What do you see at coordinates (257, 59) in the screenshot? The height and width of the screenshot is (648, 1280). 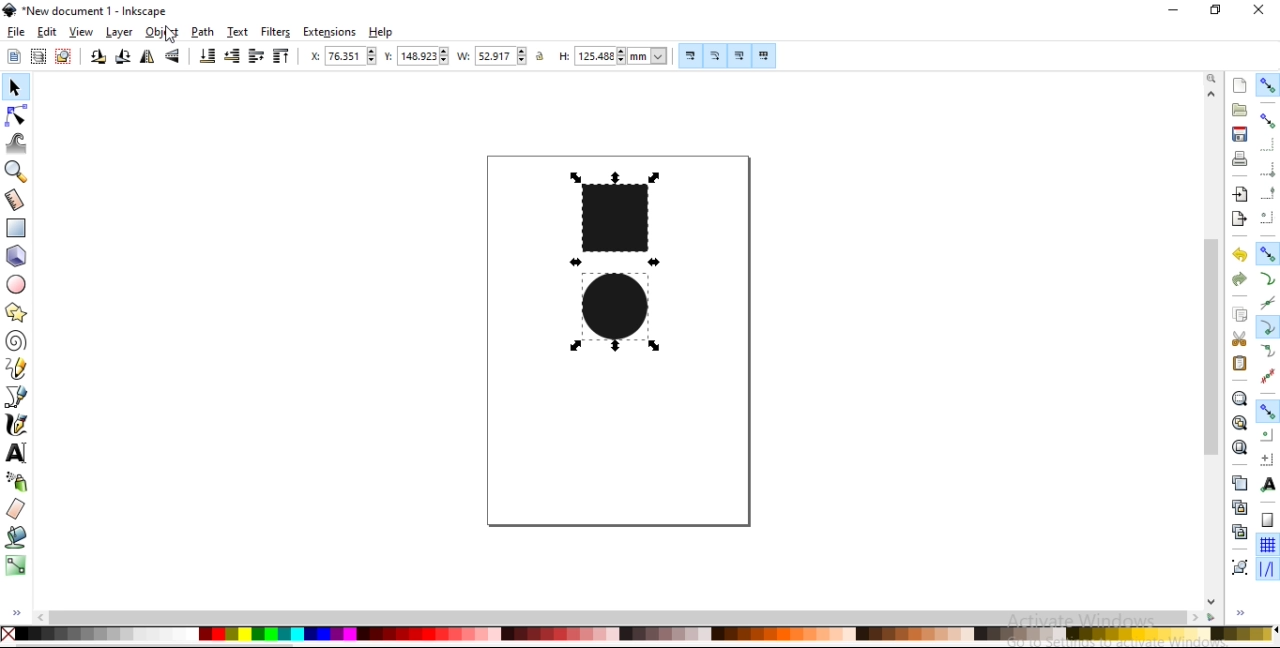 I see `raise selection by one step` at bounding box center [257, 59].